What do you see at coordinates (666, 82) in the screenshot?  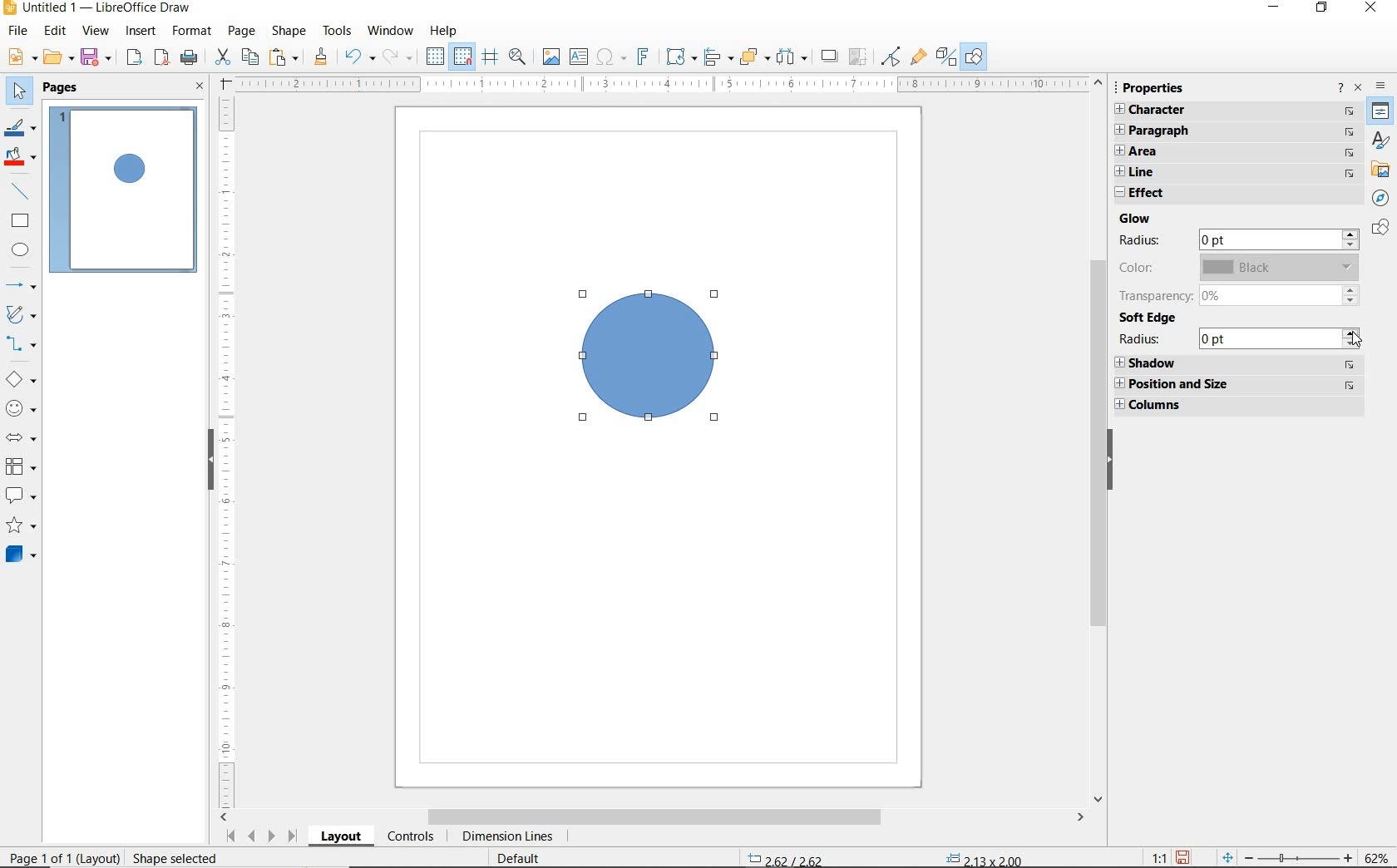 I see `RULER` at bounding box center [666, 82].